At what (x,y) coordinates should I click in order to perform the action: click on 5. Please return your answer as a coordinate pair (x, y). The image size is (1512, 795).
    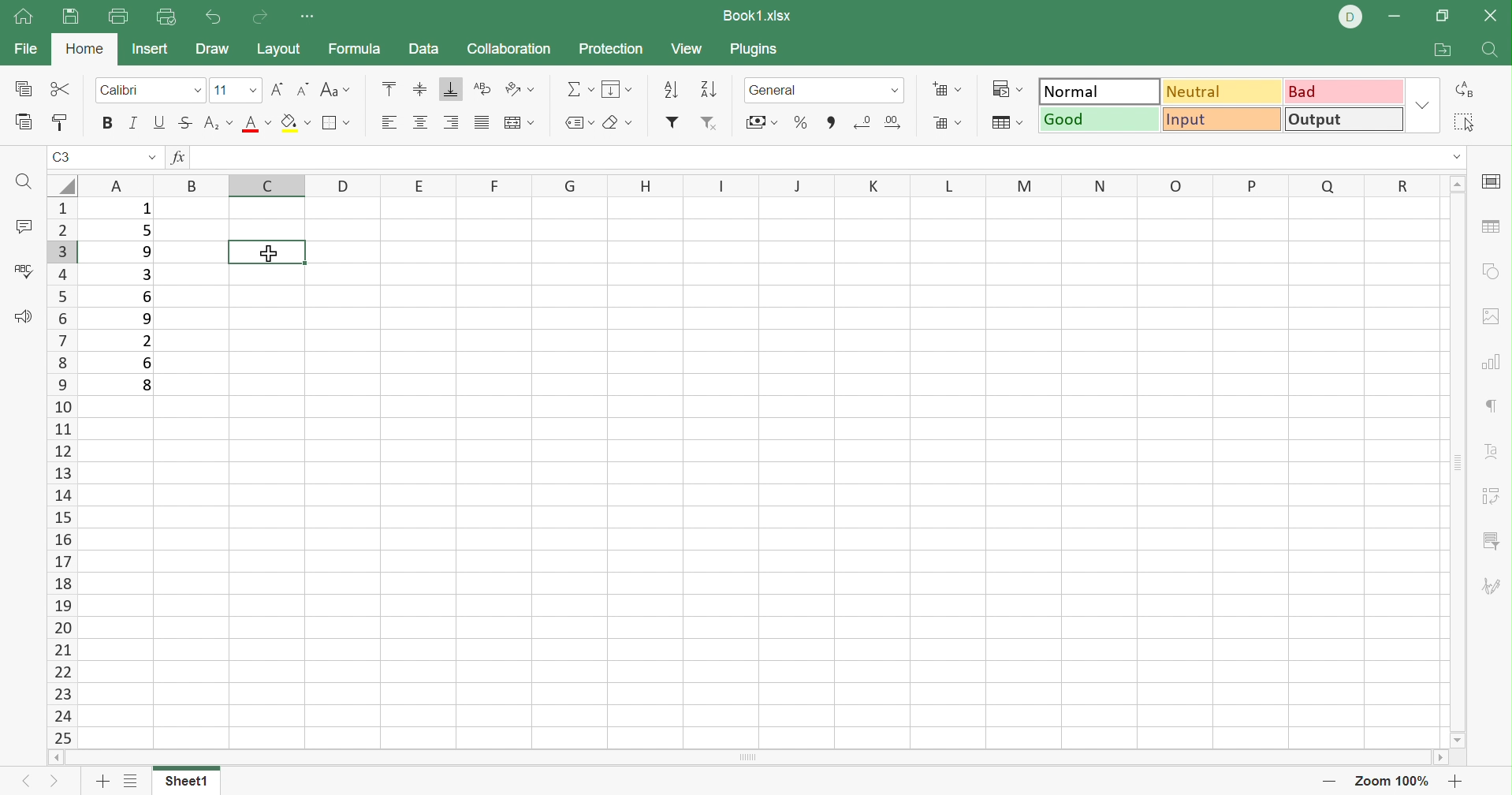
    Looking at the image, I should click on (147, 230).